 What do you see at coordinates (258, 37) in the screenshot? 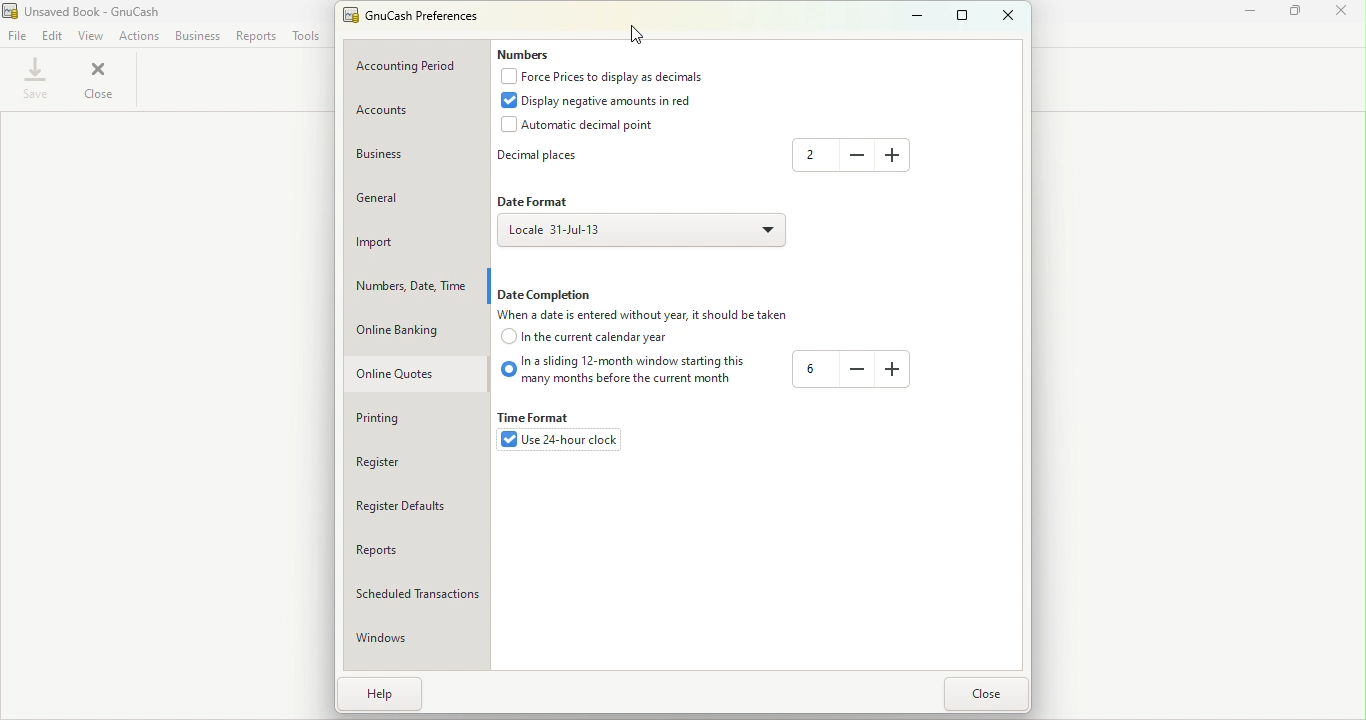
I see `Reports` at bounding box center [258, 37].